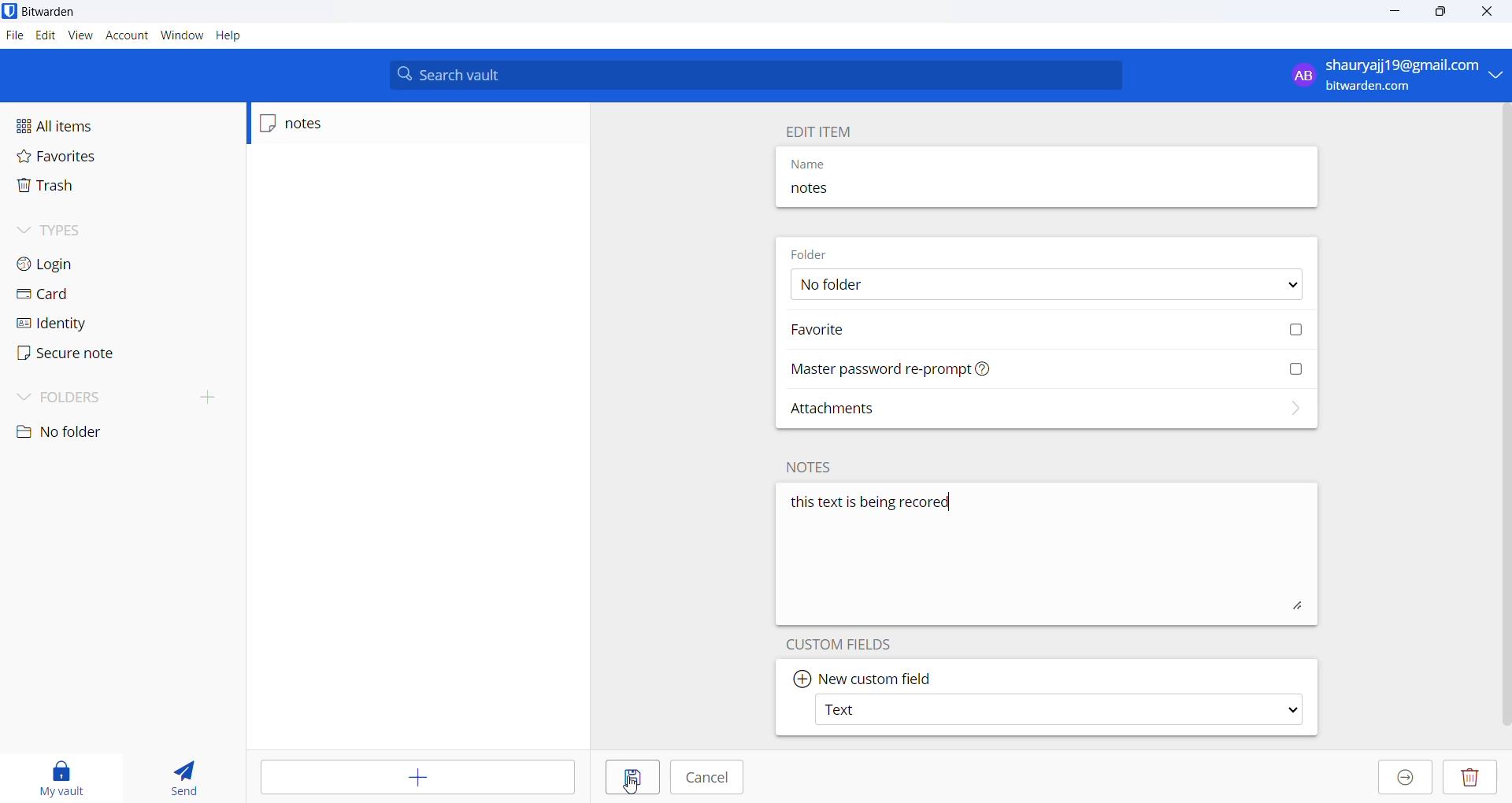 The width and height of the screenshot is (1512, 803). I want to click on shauryaji19@gmail.com bitwarden.com, so click(1390, 74).